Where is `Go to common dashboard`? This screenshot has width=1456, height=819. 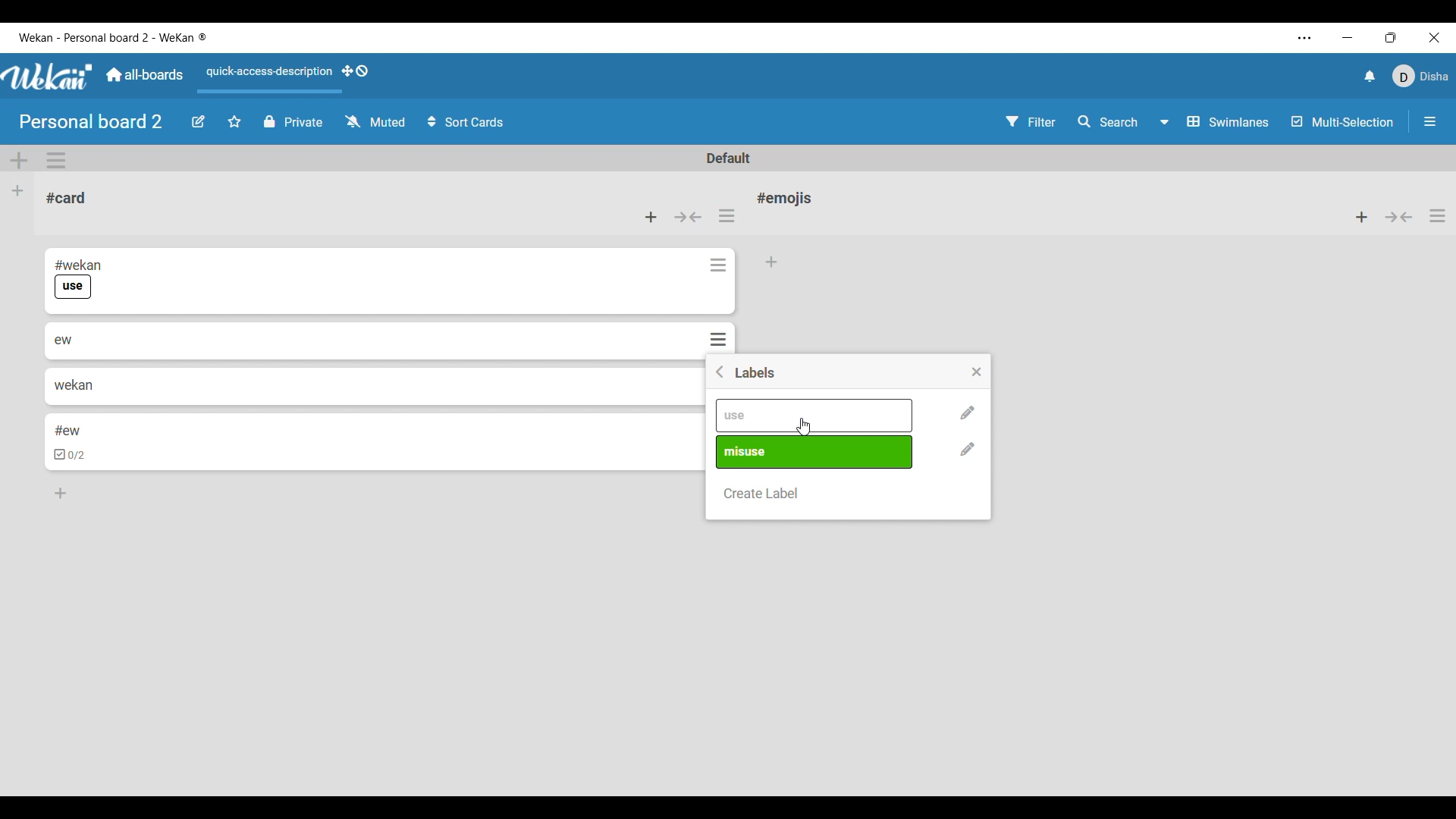
Go to common dashboard is located at coordinates (145, 74).